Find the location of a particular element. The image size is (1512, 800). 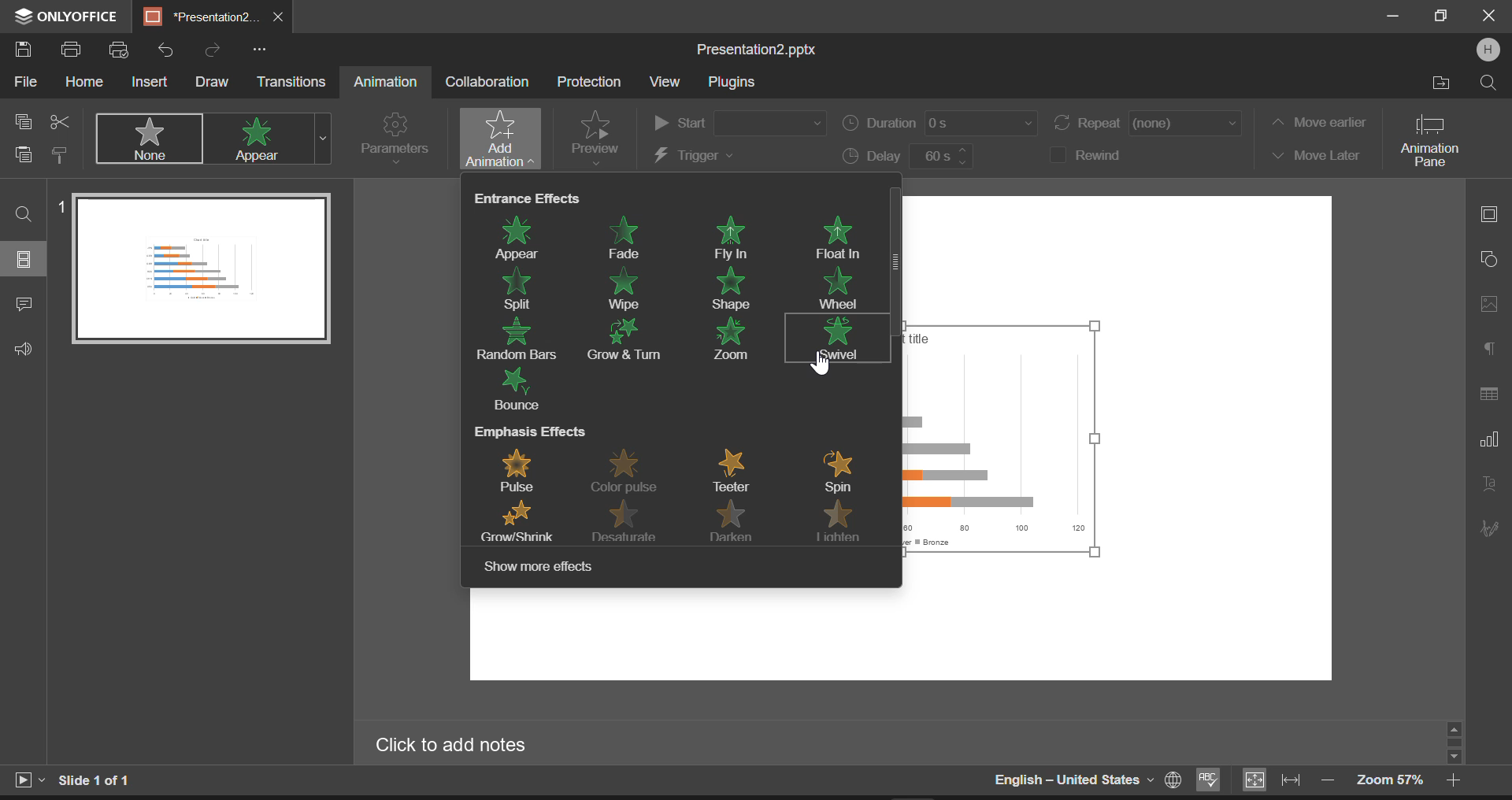

Trigger is located at coordinates (737, 157).